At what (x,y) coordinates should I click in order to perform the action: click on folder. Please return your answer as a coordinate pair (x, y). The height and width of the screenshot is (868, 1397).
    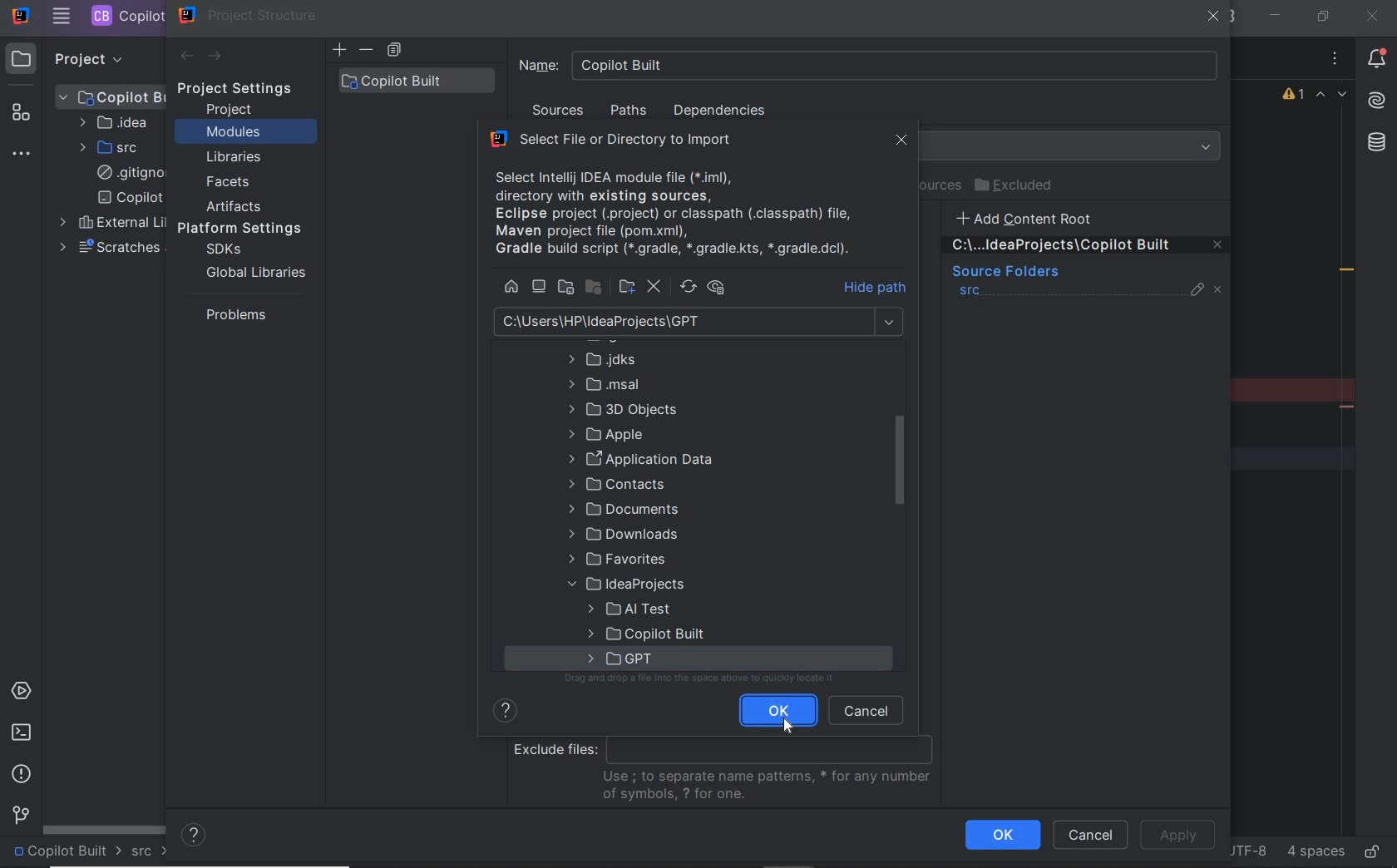
    Looking at the image, I should click on (628, 607).